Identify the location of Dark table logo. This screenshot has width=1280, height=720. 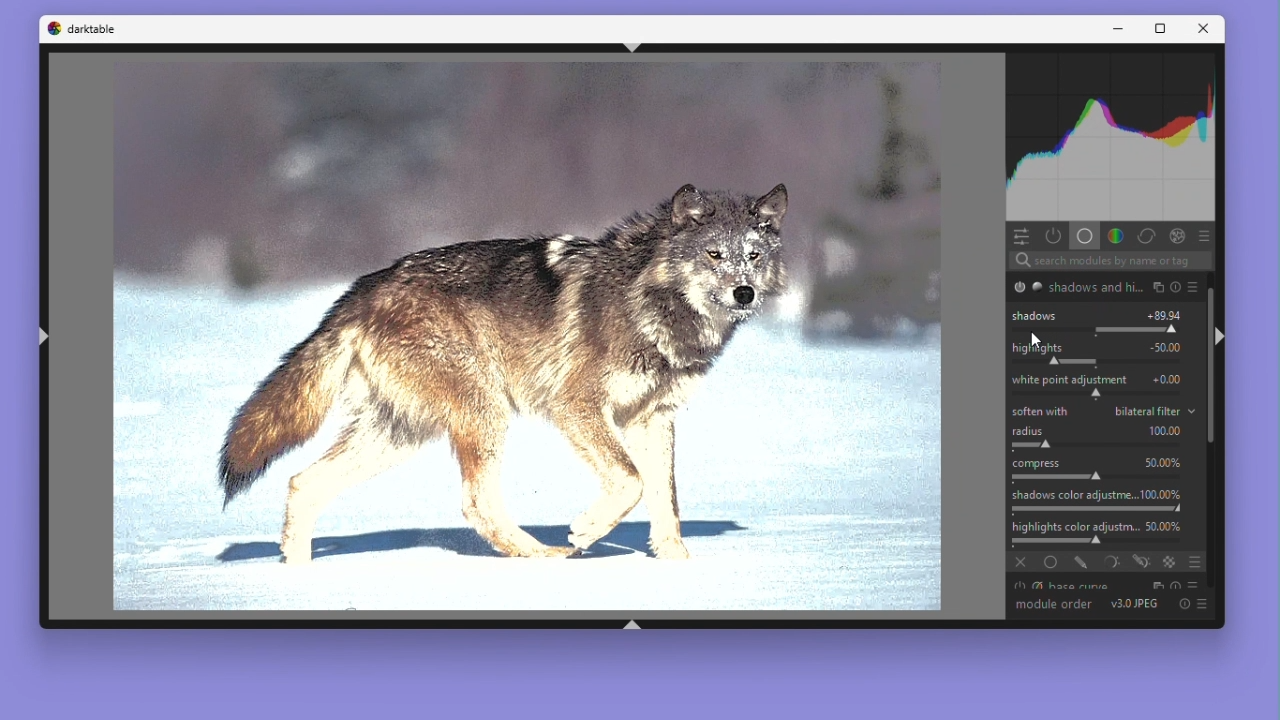
(51, 30).